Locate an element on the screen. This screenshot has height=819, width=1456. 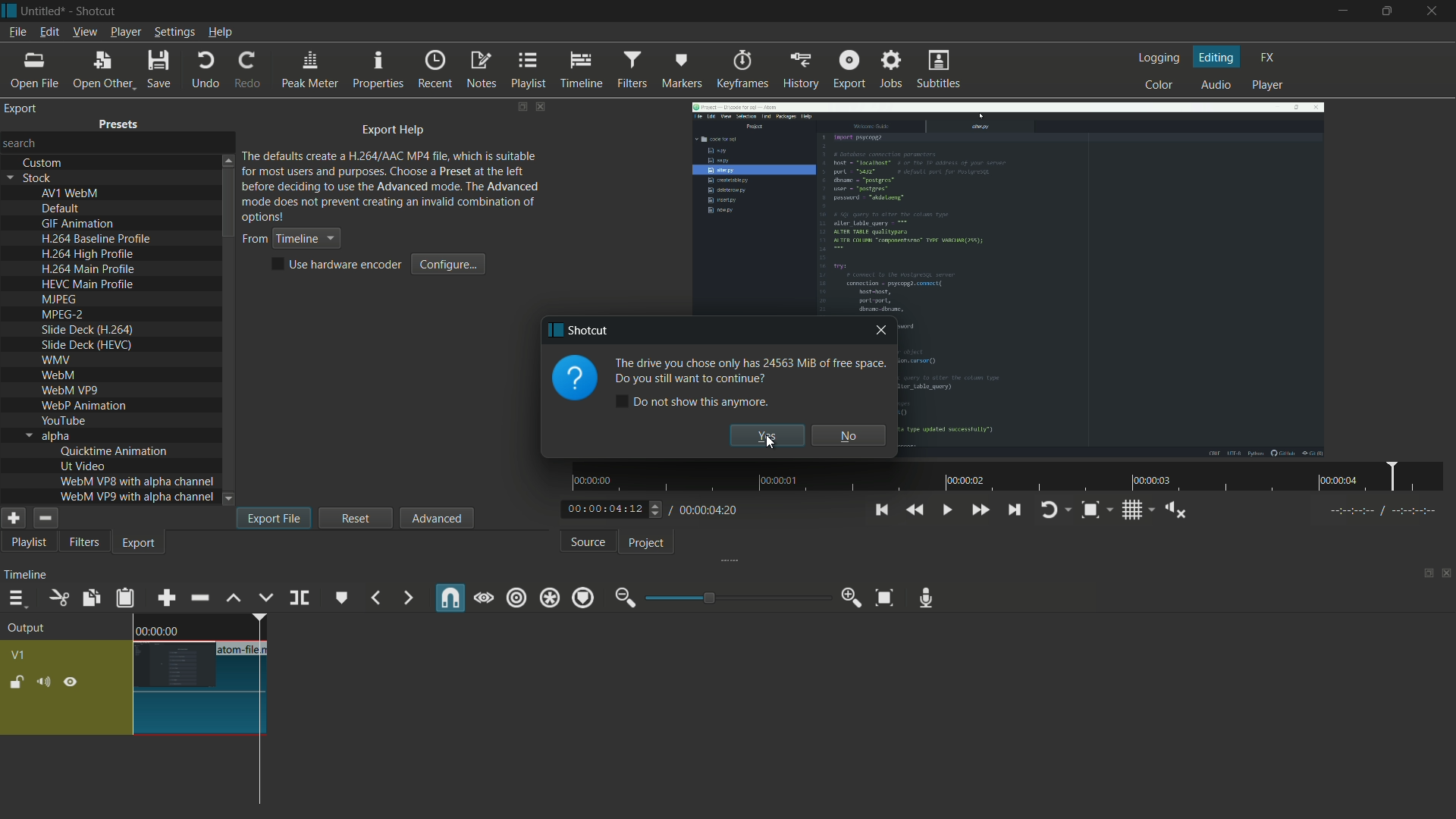
quickly play forward is located at coordinates (981, 511).